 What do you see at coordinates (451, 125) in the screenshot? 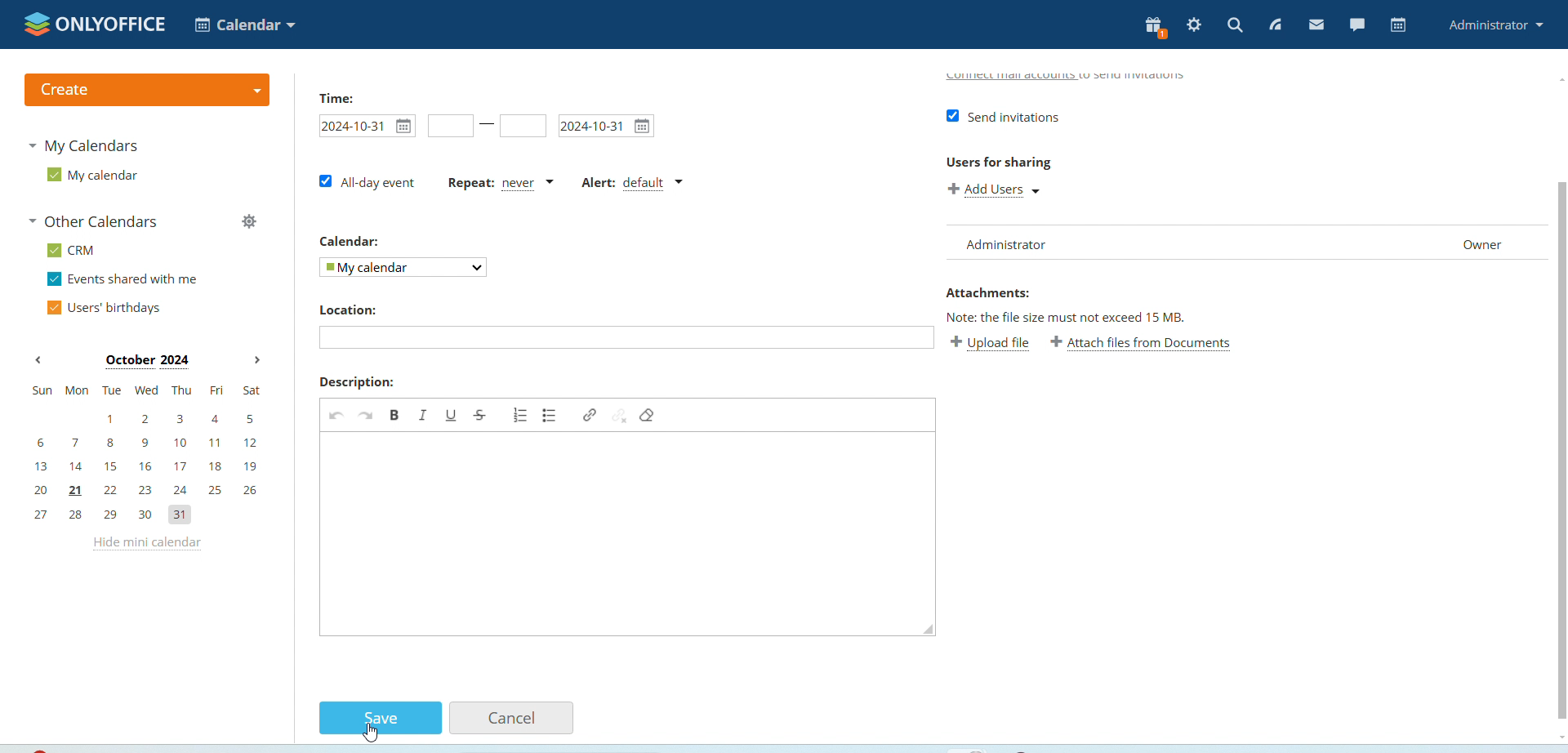
I see `Set event start time` at bounding box center [451, 125].